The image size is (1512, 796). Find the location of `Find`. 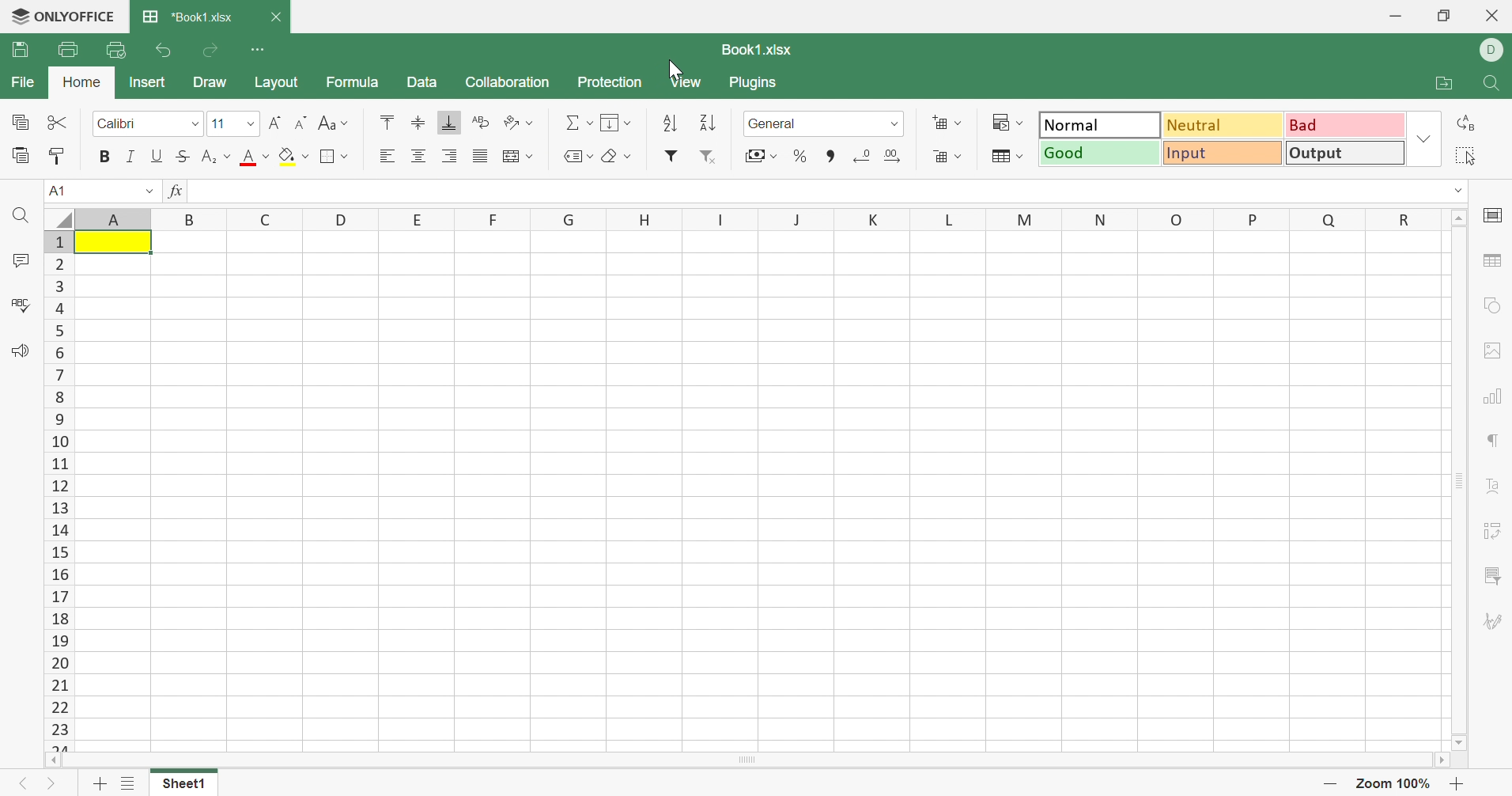

Find is located at coordinates (20, 214).